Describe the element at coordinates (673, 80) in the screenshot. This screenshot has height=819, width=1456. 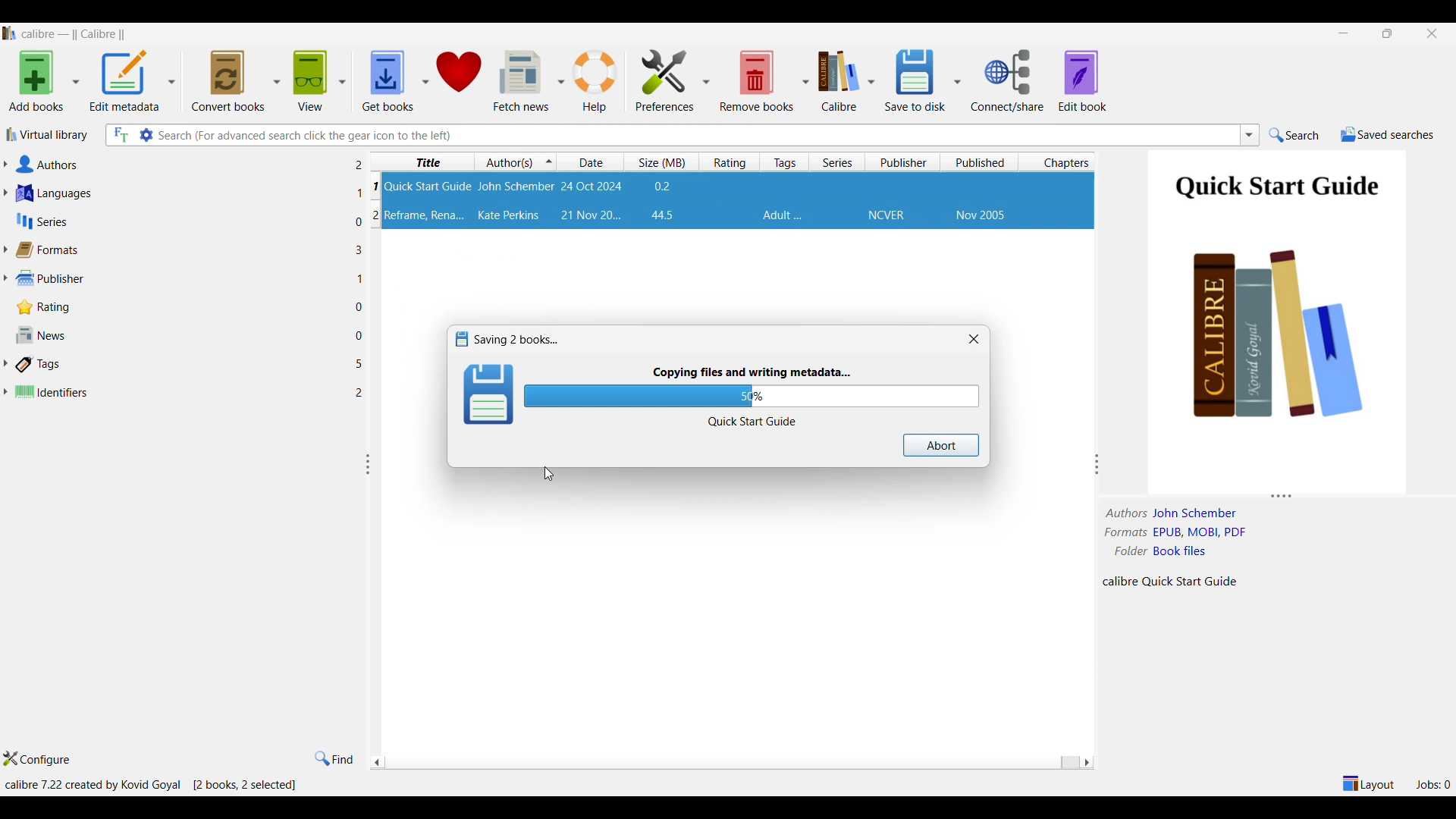
I see `Preference options` at that location.